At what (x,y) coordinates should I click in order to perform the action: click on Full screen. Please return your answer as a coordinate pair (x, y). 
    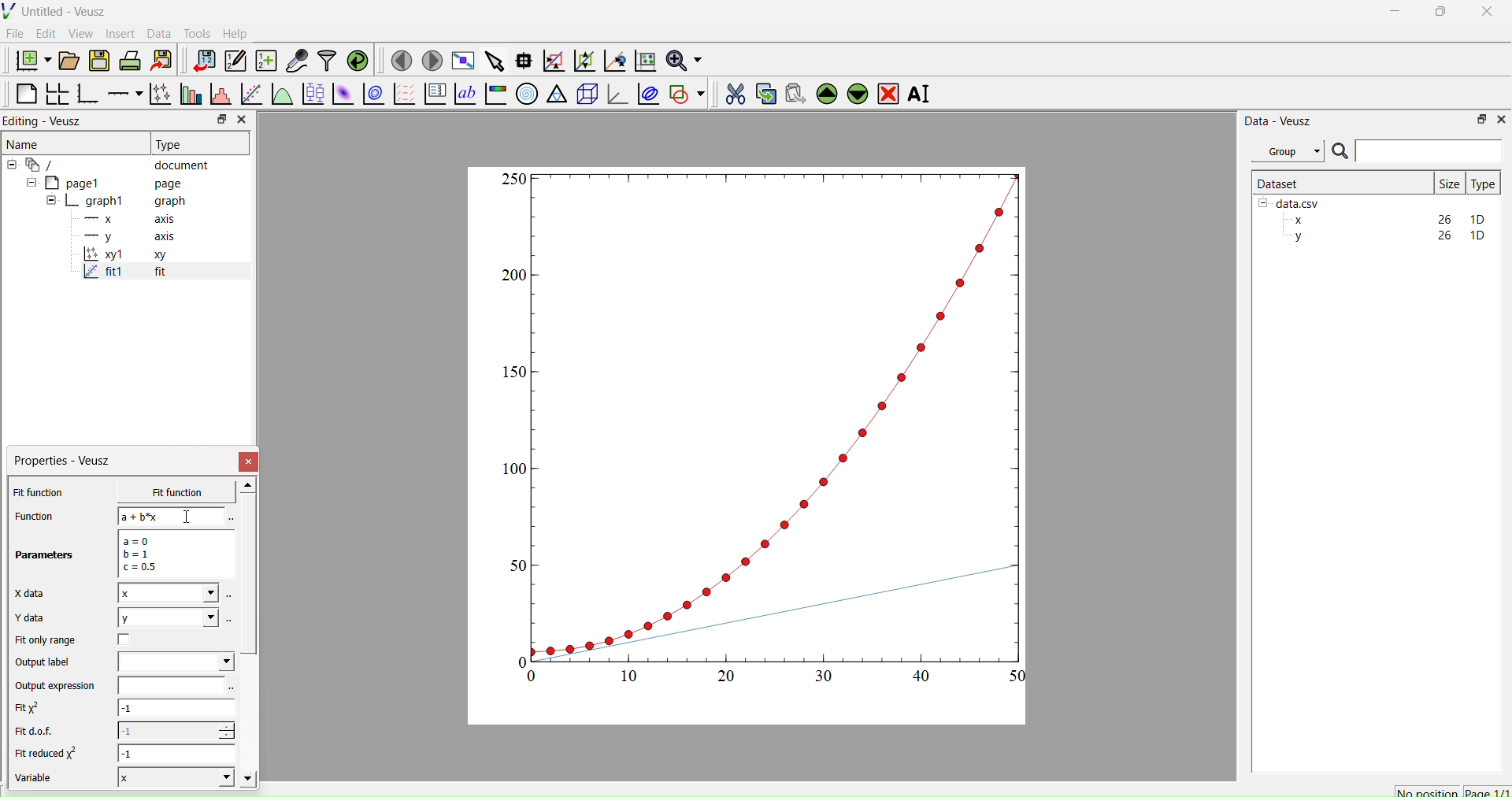
    Looking at the image, I should click on (460, 61).